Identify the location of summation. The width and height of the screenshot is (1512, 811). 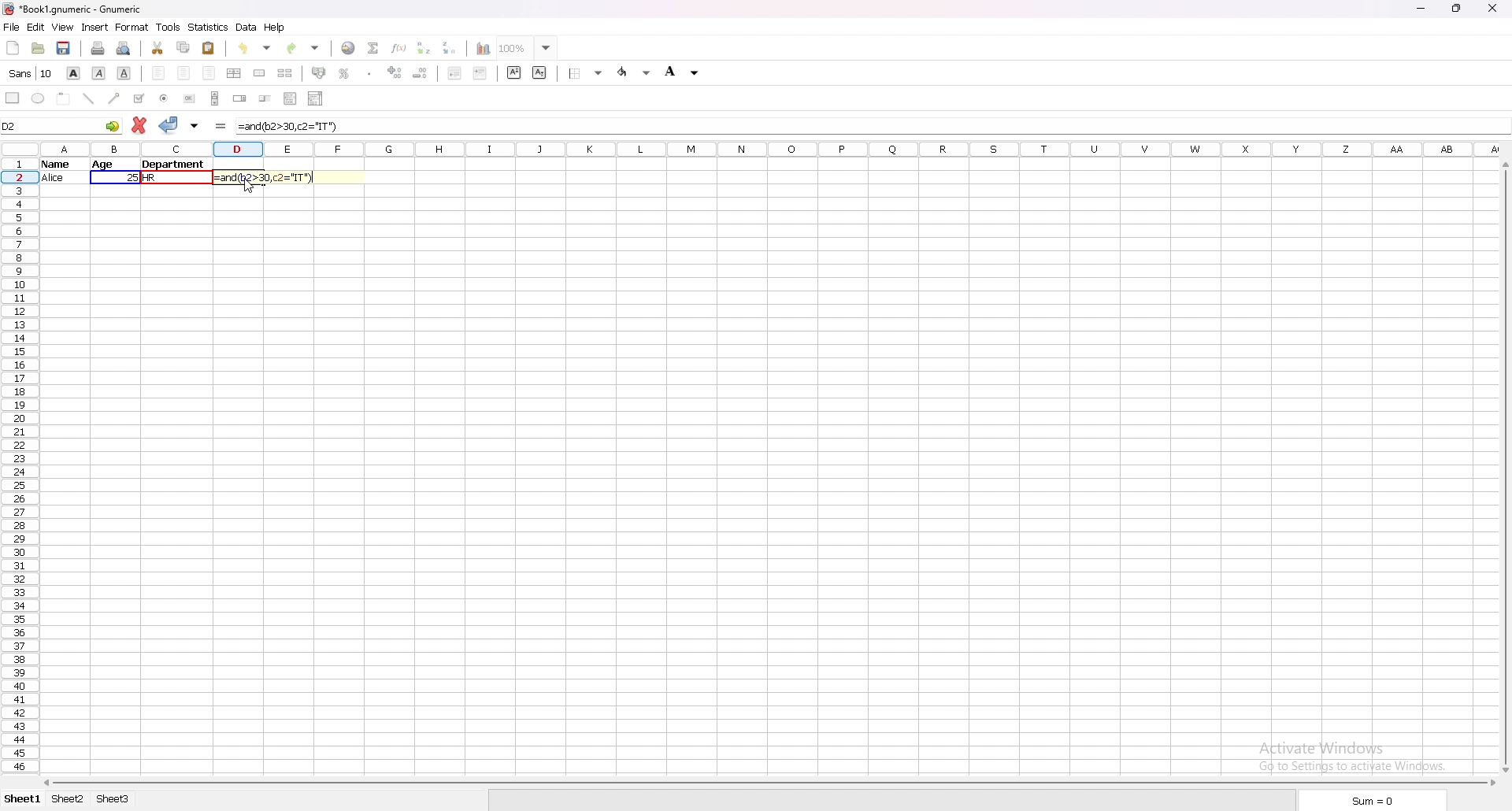
(373, 47).